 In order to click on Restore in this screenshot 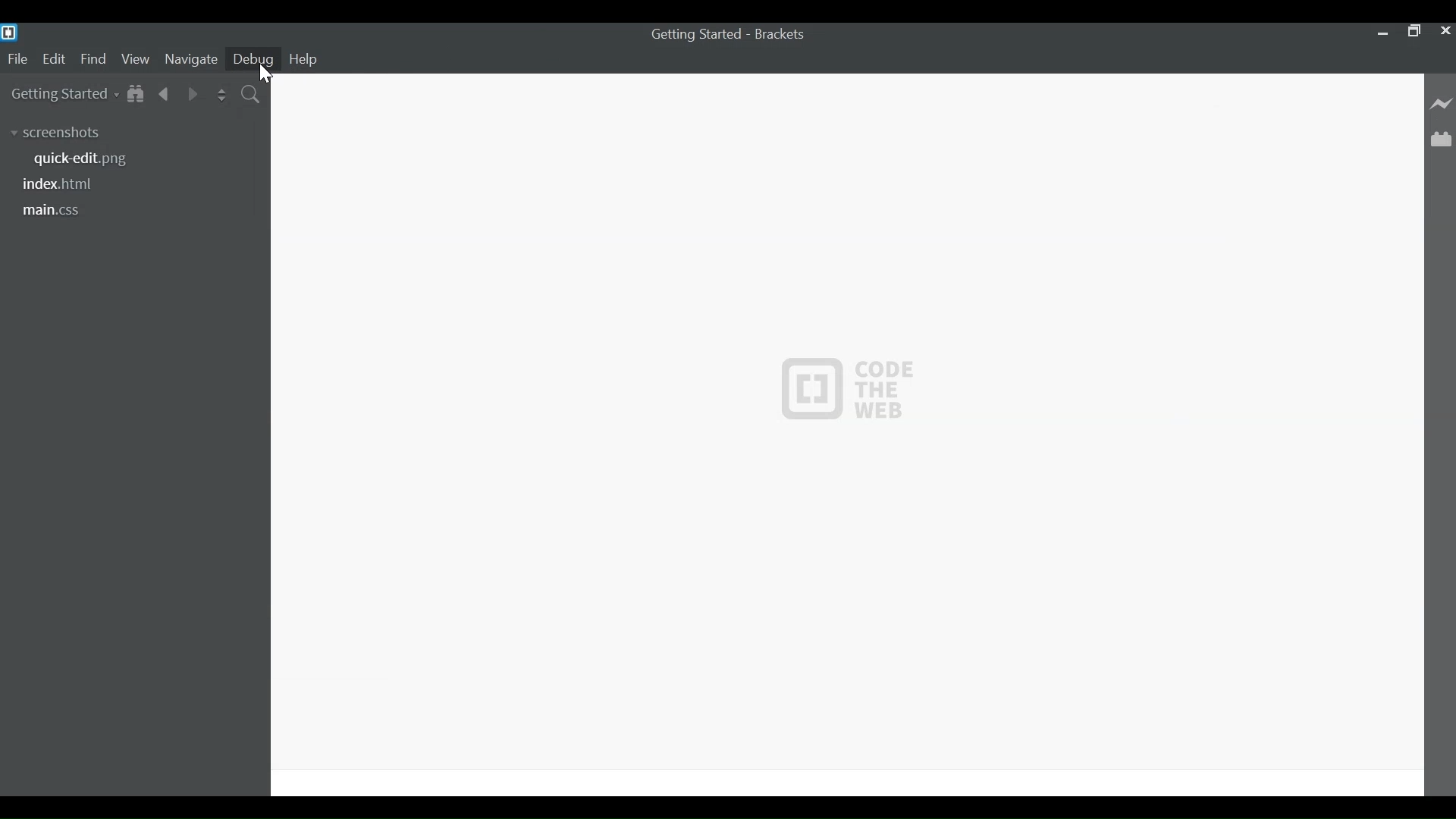, I will do `click(1412, 30)`.